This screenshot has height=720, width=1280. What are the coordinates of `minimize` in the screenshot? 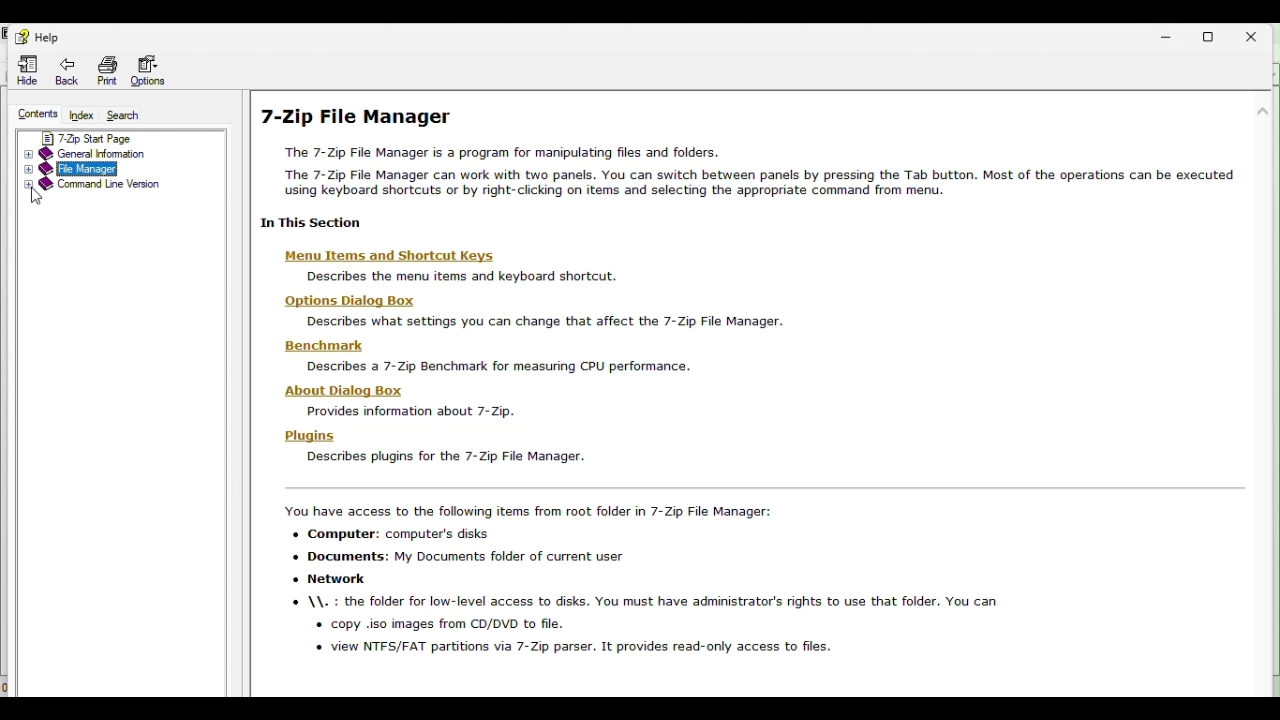 It's located at (1175, 32).